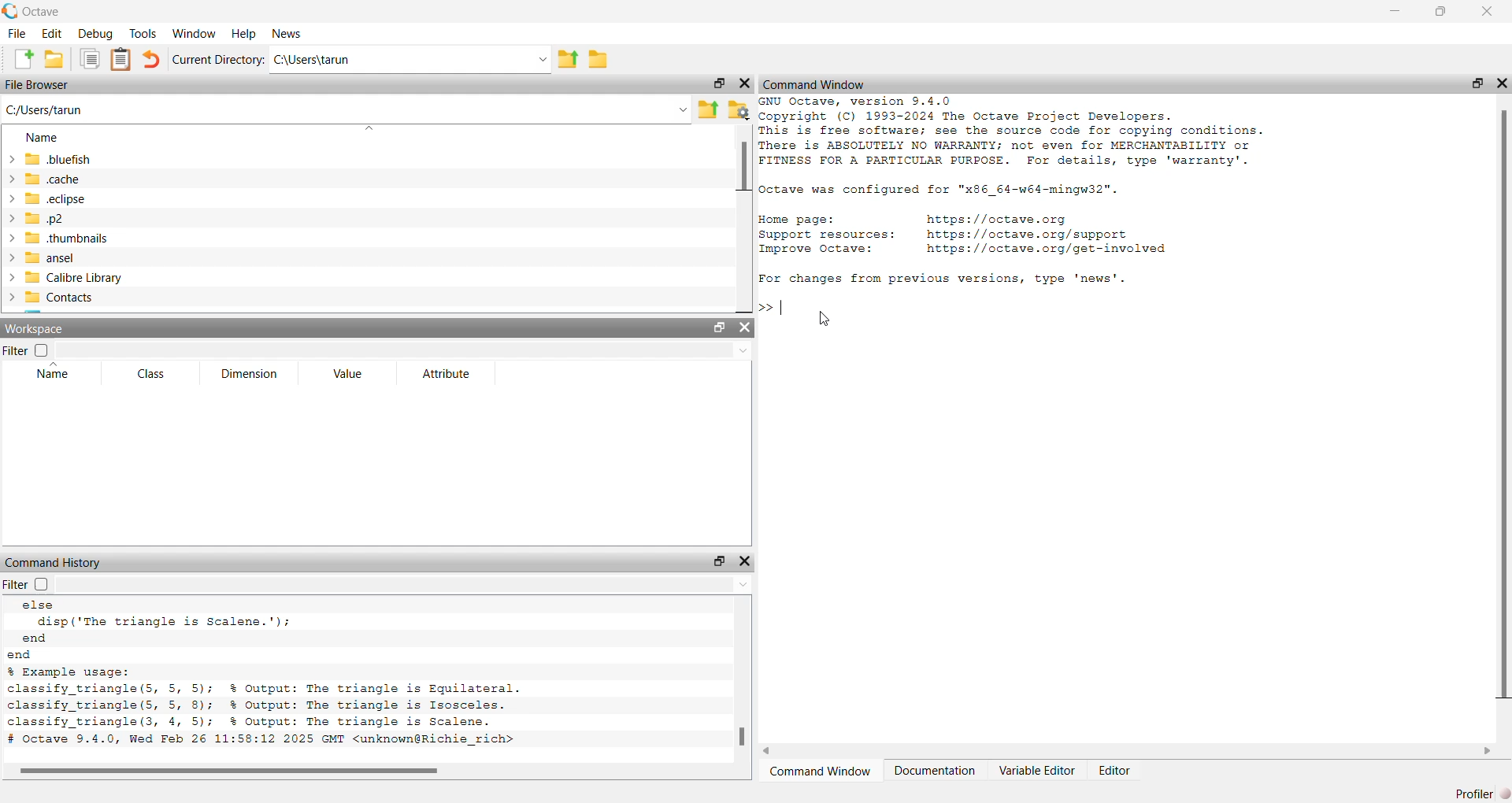 The height and width of the screenshot is (803, 1512). What do you see at coordinates (406, 351) in the screenshot?
I see `filter input field` at bounding box center [406, 351].